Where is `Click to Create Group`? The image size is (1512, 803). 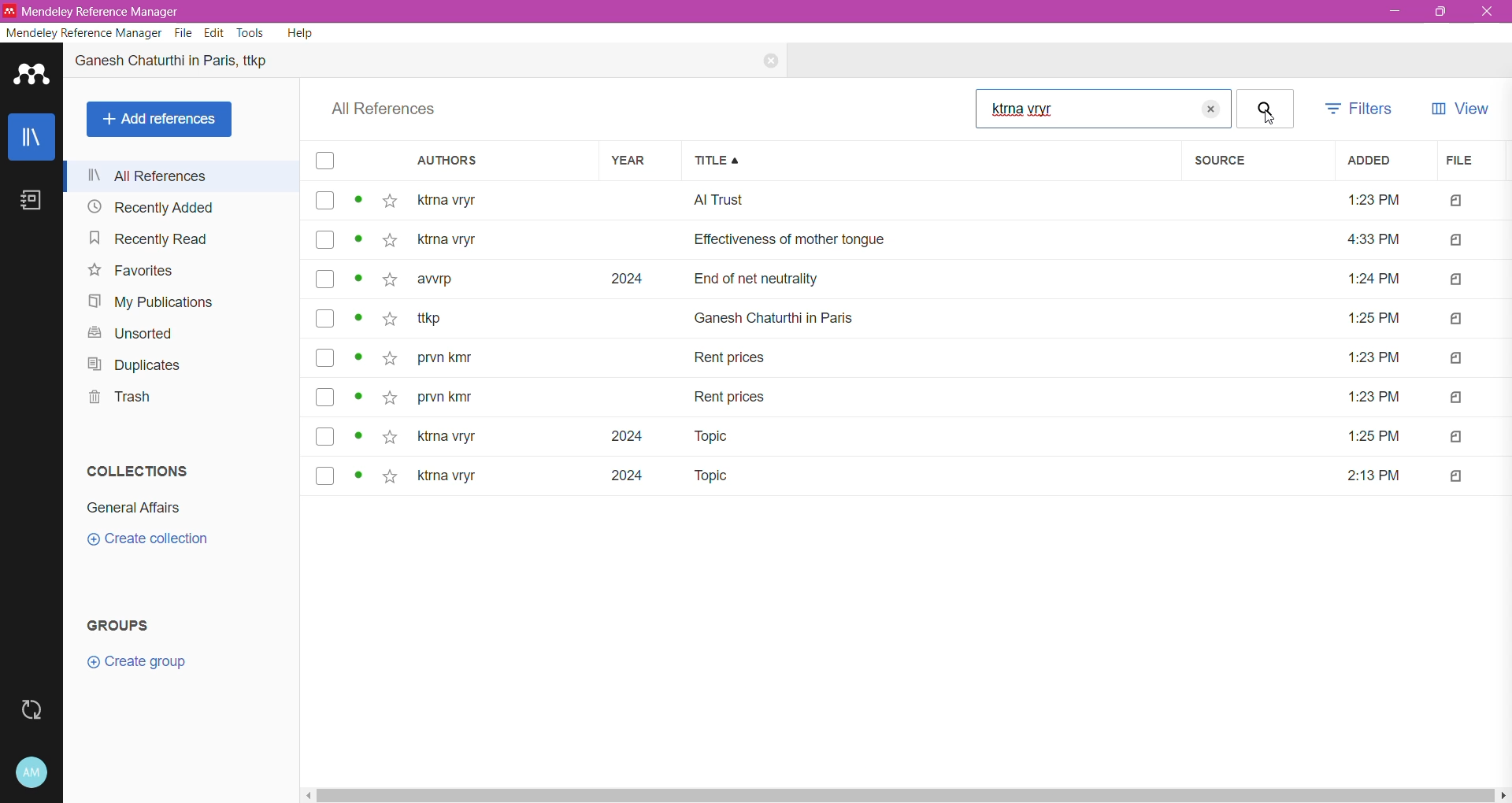 Click to Create Group is located at coordinates (135, 666).